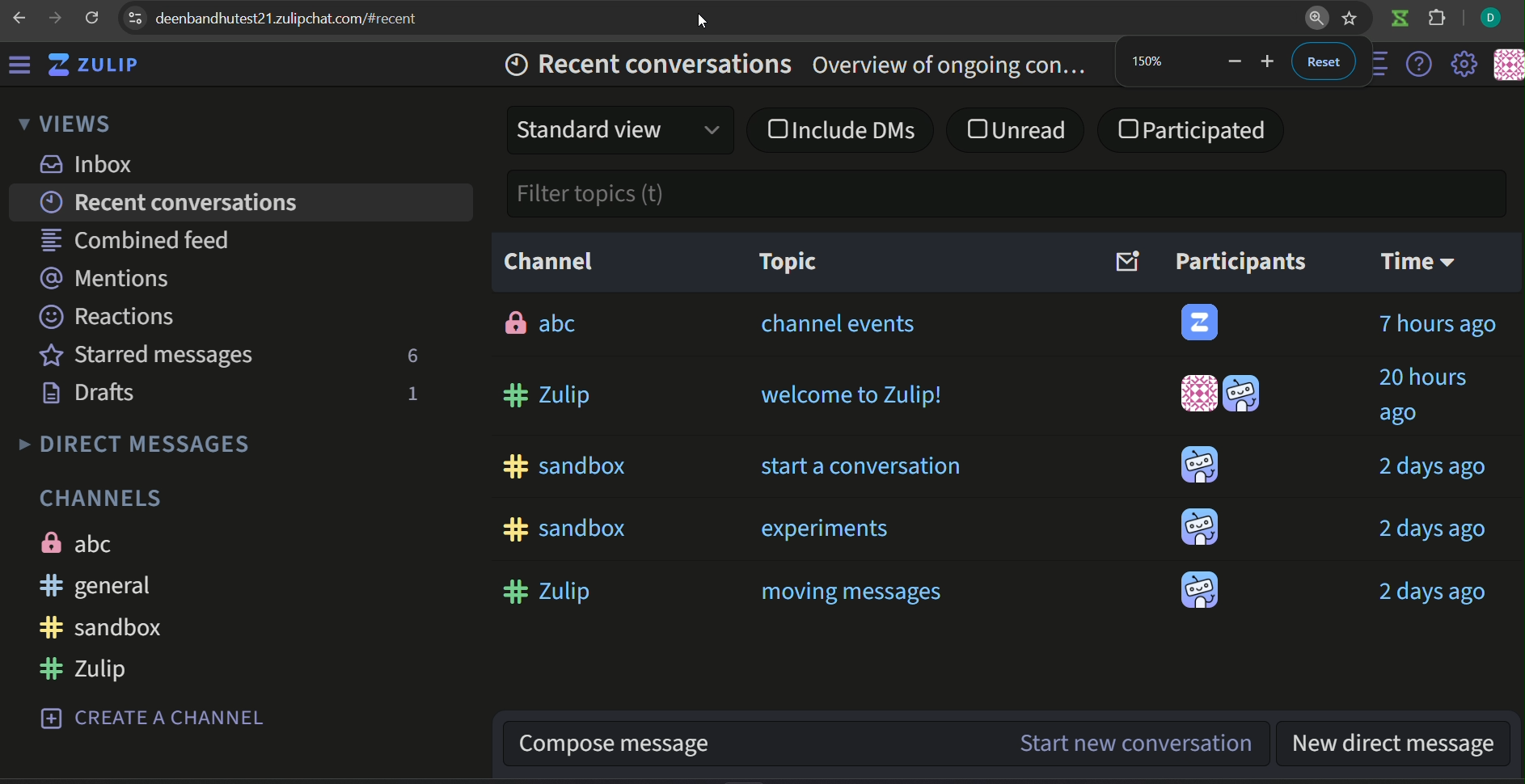 This screenshot has width=1525, height=784. I want to click on number, so click(412, 357).